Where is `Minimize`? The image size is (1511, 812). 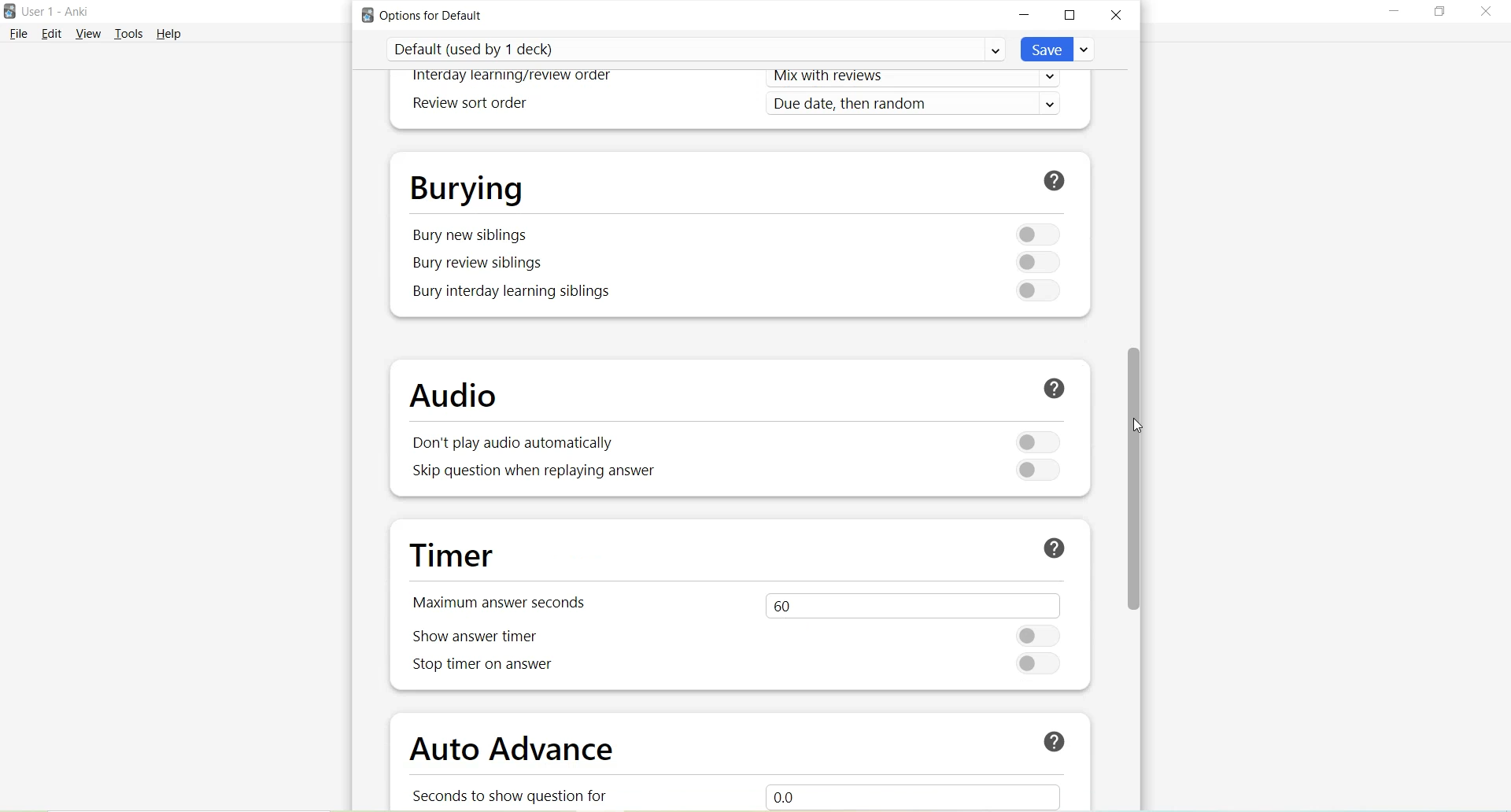 Minimize is located at coordinates (1025, 15).